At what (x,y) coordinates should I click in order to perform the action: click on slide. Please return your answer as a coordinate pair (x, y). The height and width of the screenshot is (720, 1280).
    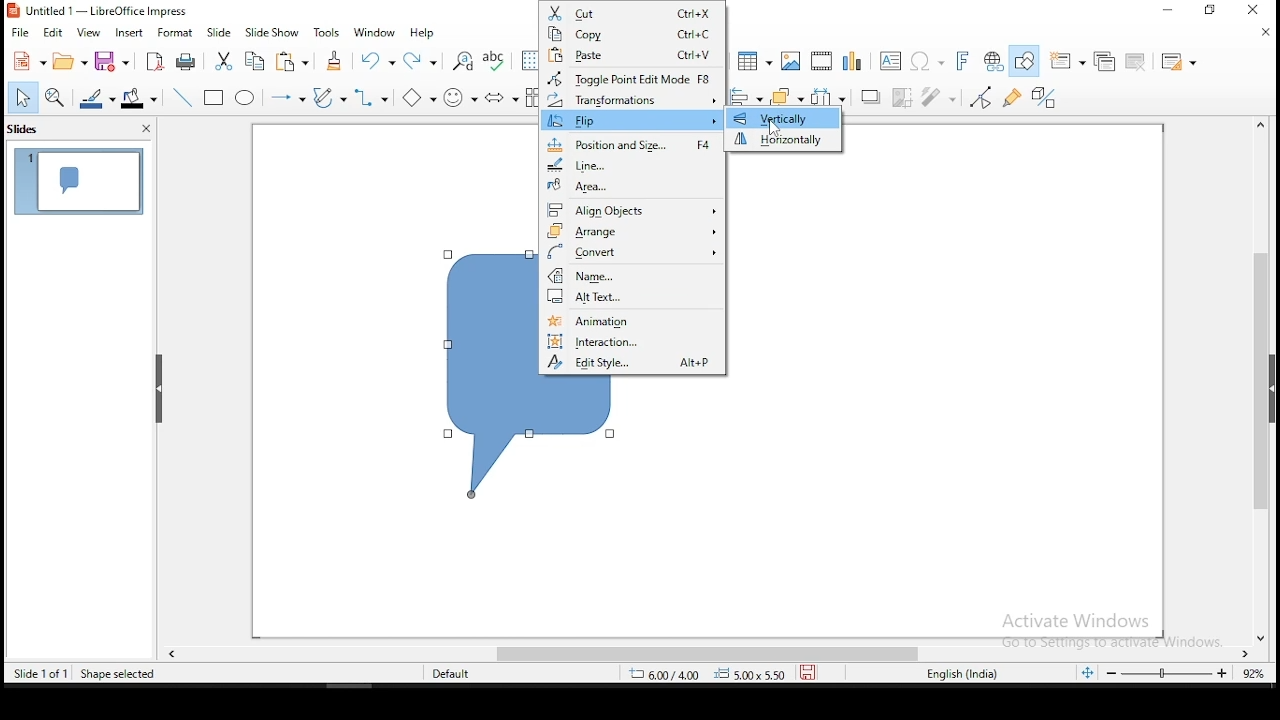
    Looking at the image, I should click on (220, 32).